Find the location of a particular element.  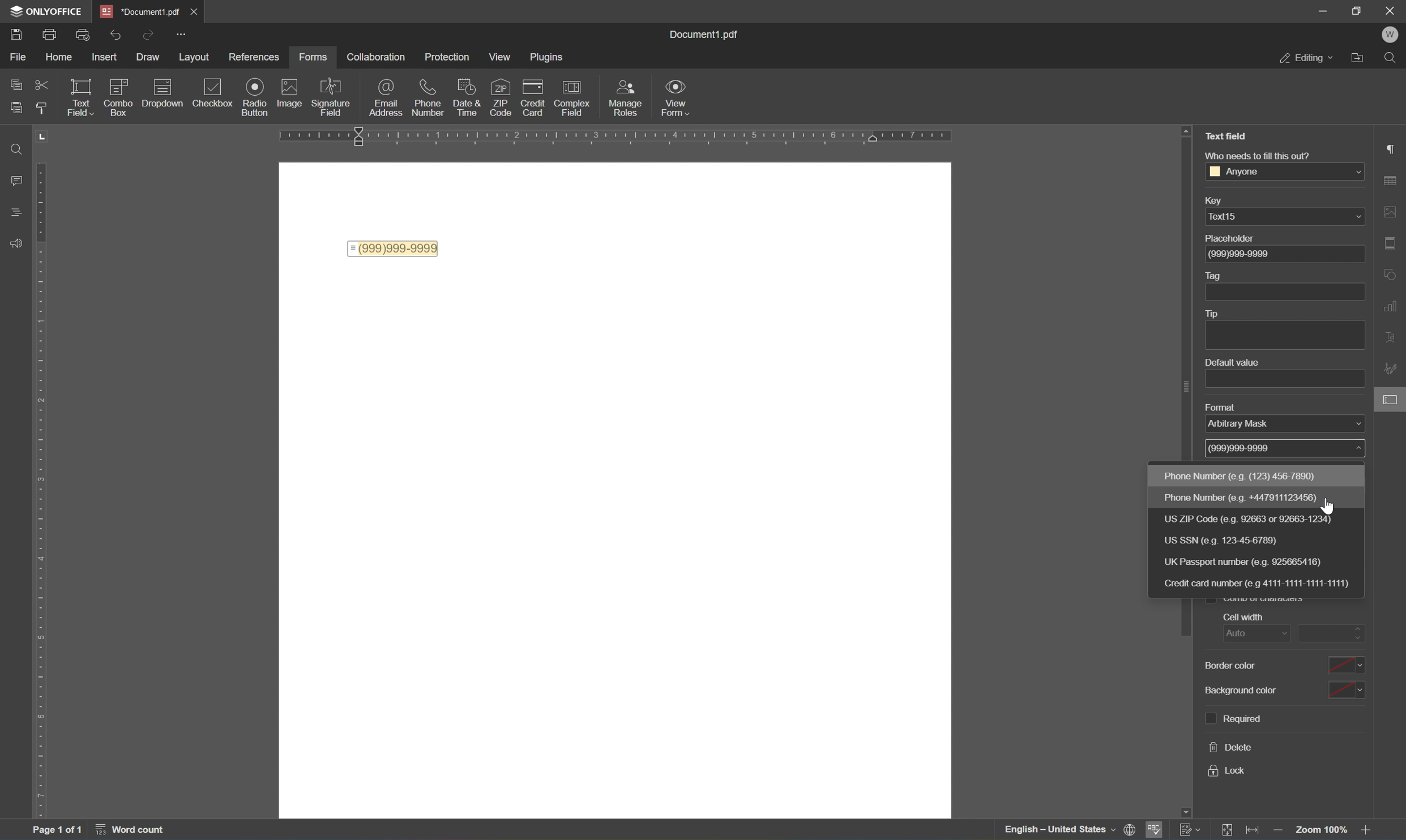

print is located at coordinates (15, 32).